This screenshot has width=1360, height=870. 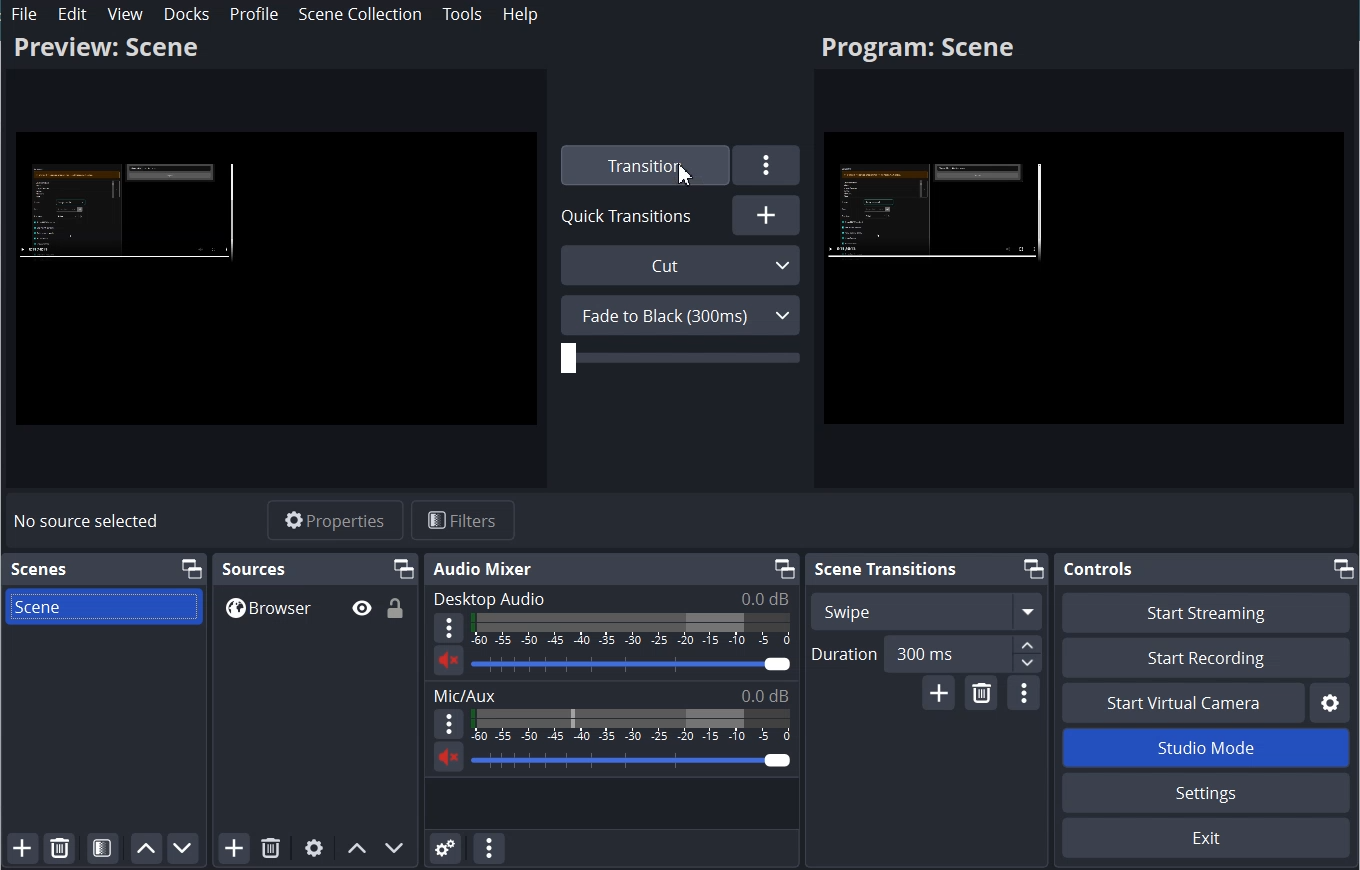 I want to click on Start Virtual Camera, so click(x=1181, y=702).